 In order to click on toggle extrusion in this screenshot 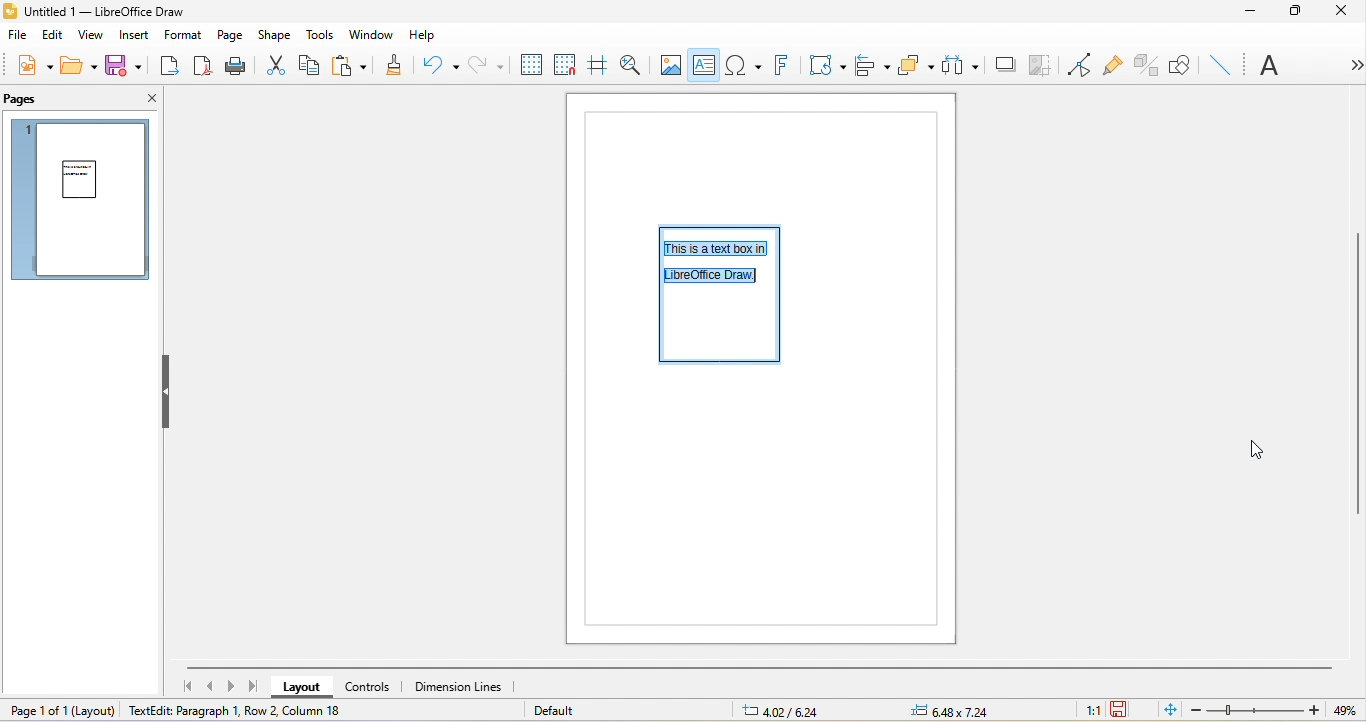, I will do `click(1149, 63)`.